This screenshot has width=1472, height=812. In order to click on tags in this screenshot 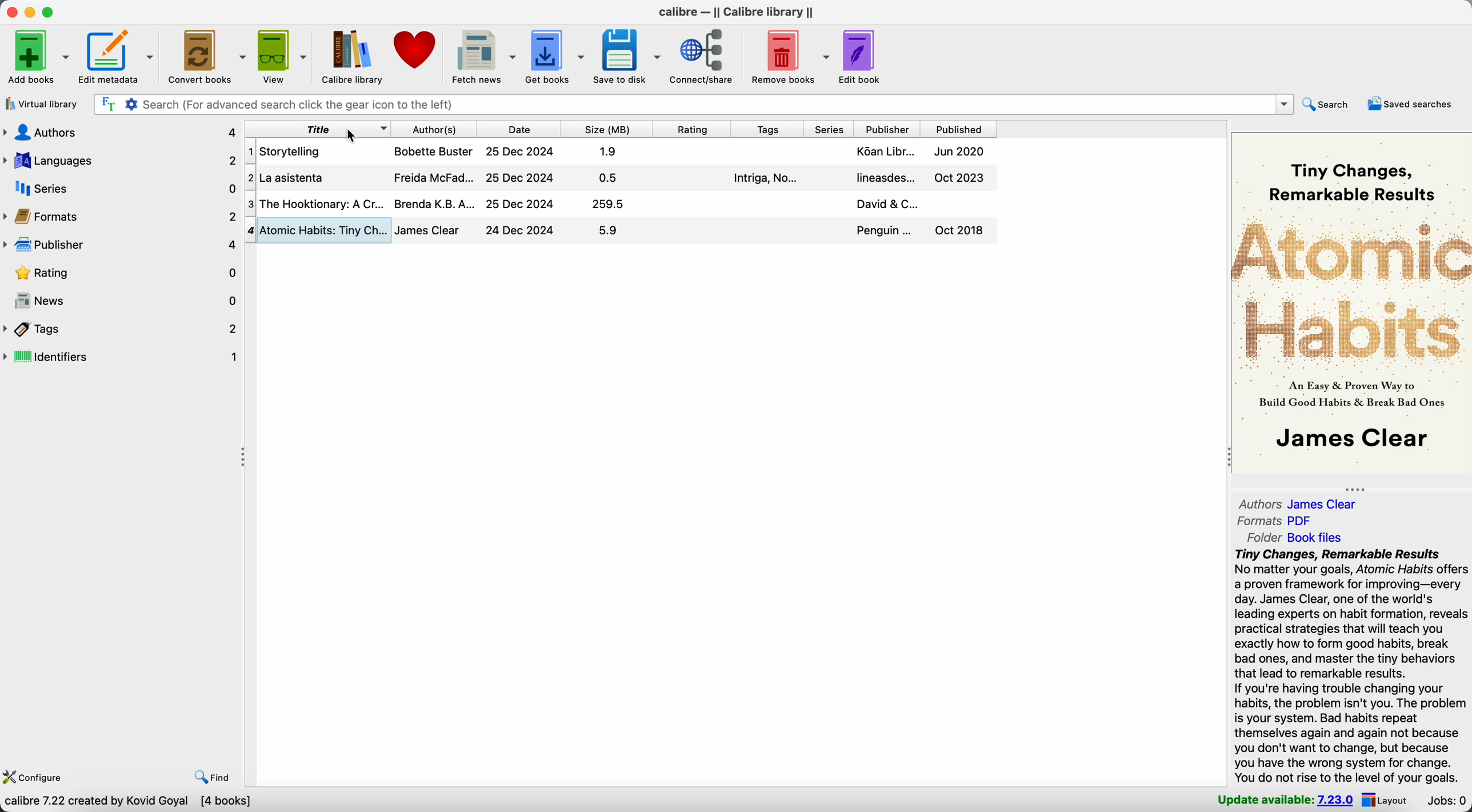, I will do `click(770, 129)`.